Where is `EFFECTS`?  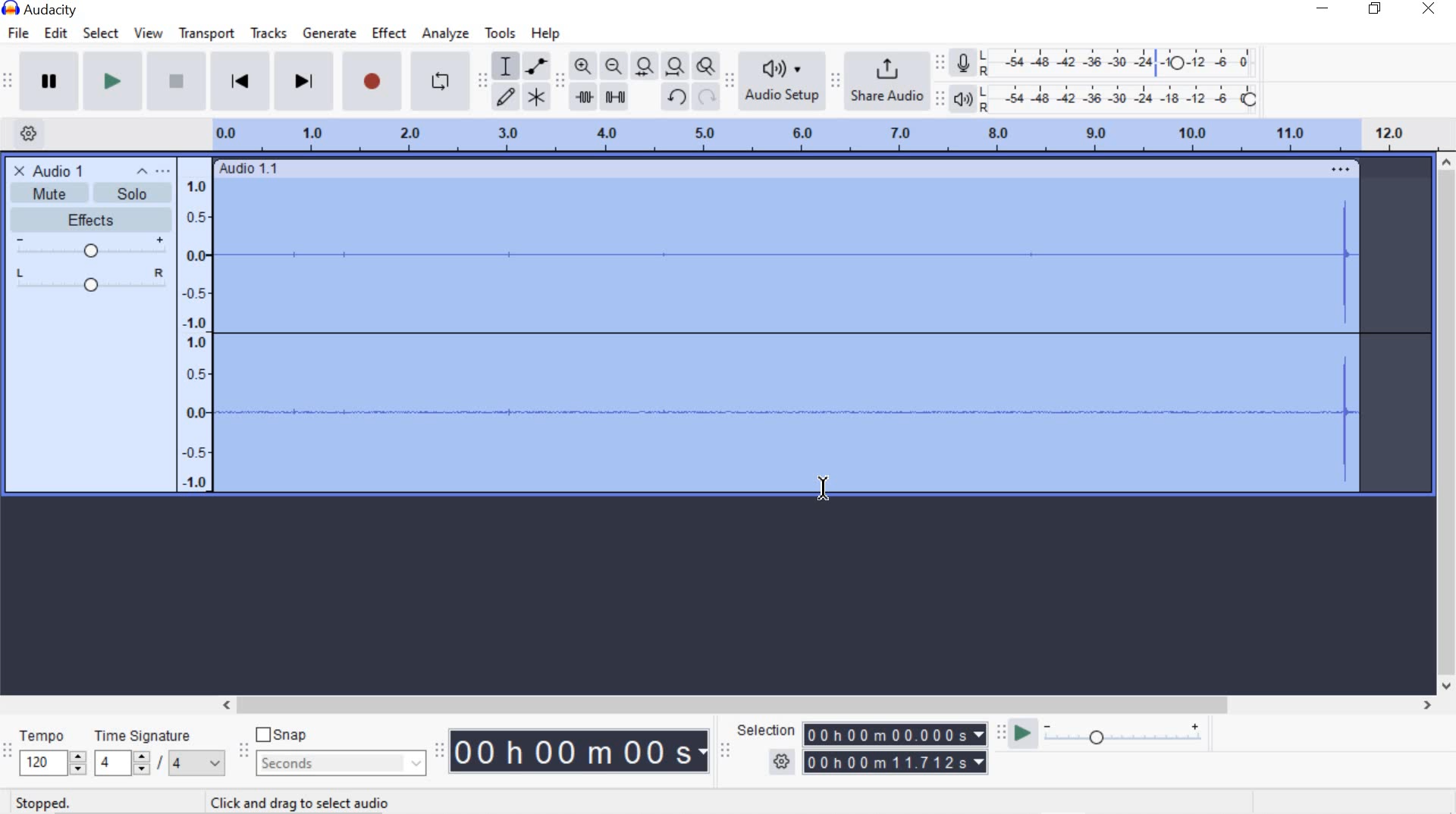 EFFECTS is located at coordinates (87, 218).